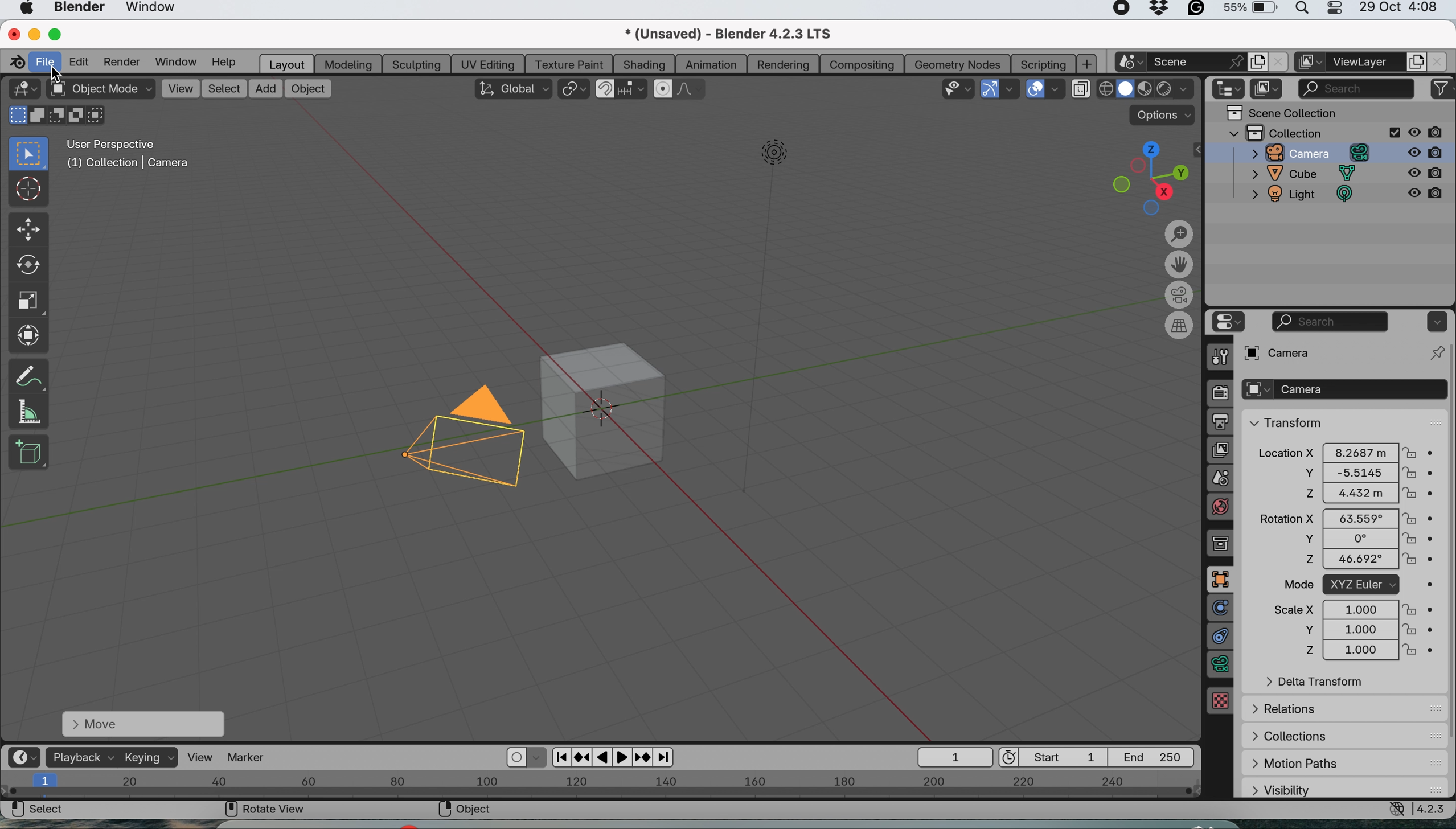  What do you see at coordinates (539, 758) in the screenshot?
I see `auto keyframing` at bounding box center [539, 758].